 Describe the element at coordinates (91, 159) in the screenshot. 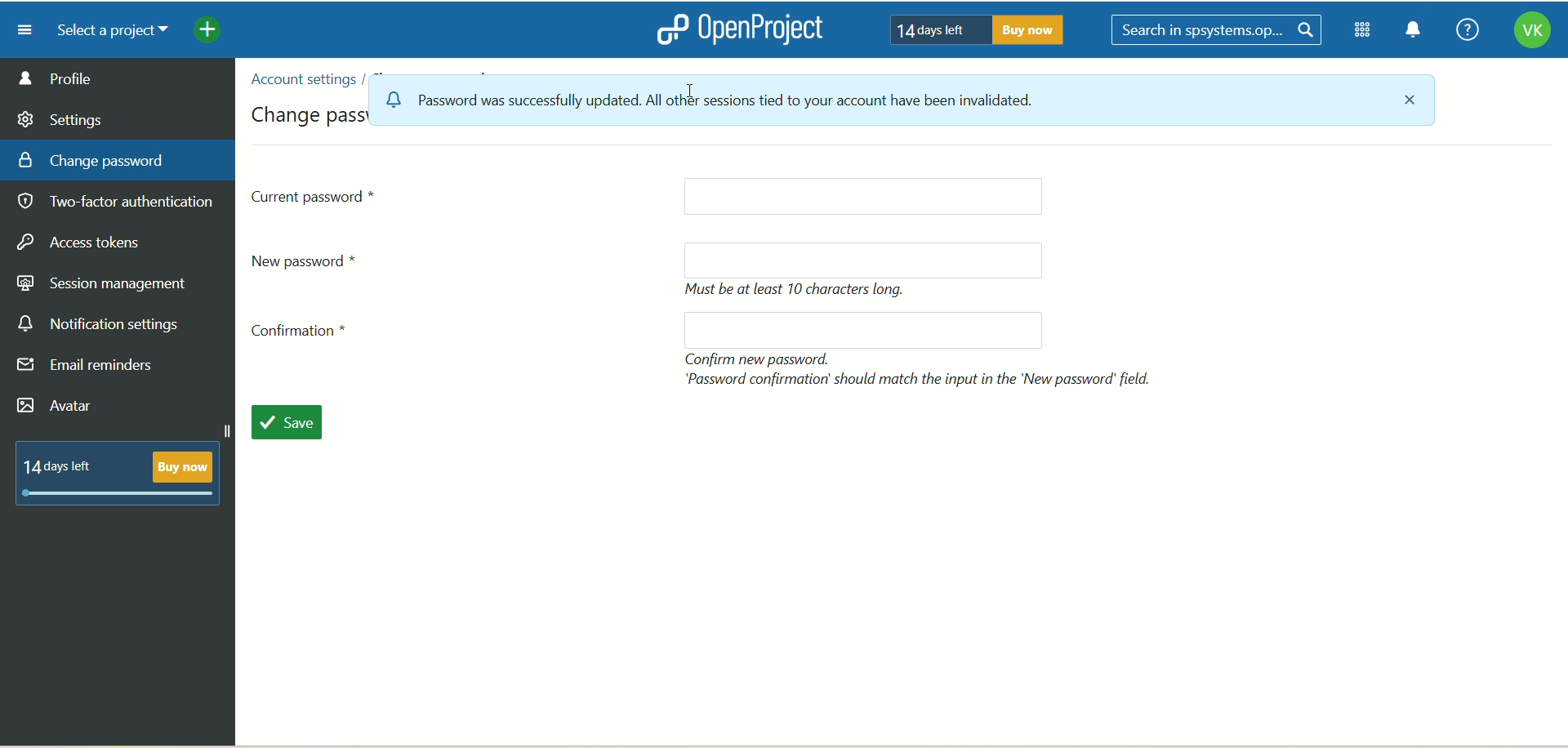

I see `change password` at that location.